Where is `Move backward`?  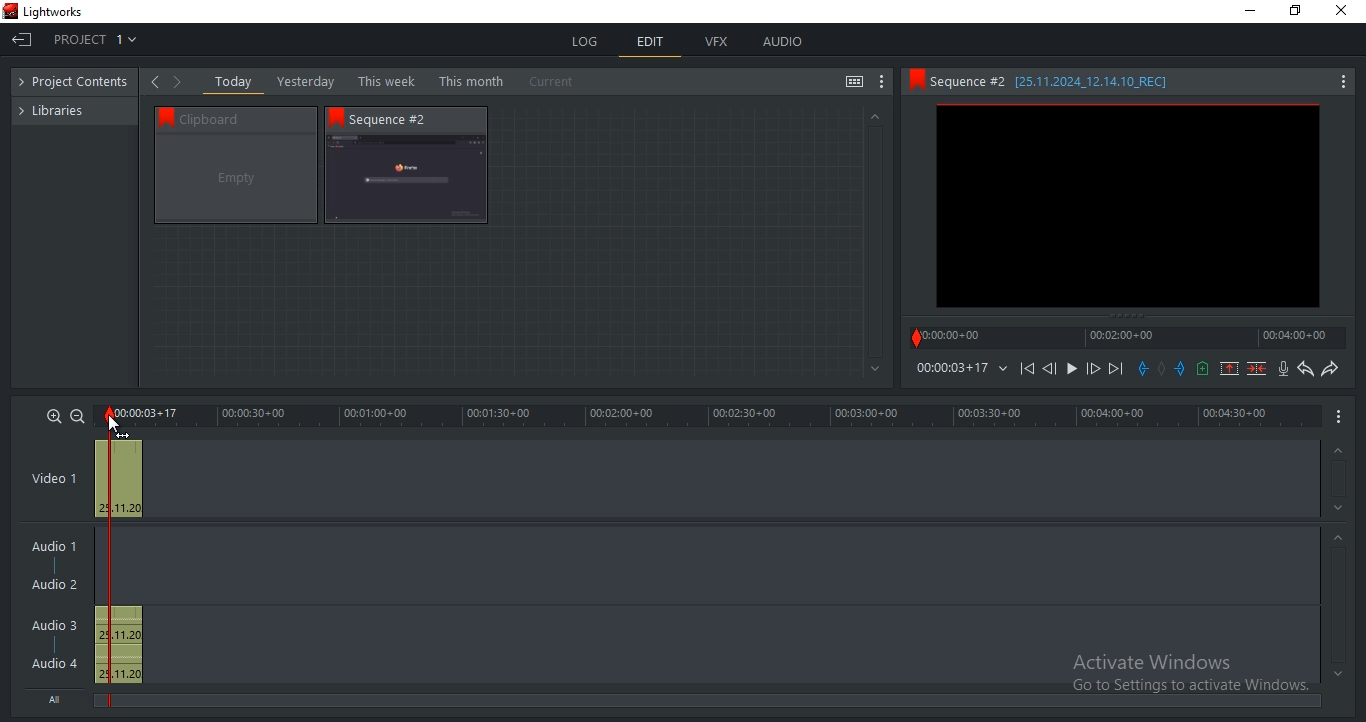 Move backward is located at coordinates (1030, 373).